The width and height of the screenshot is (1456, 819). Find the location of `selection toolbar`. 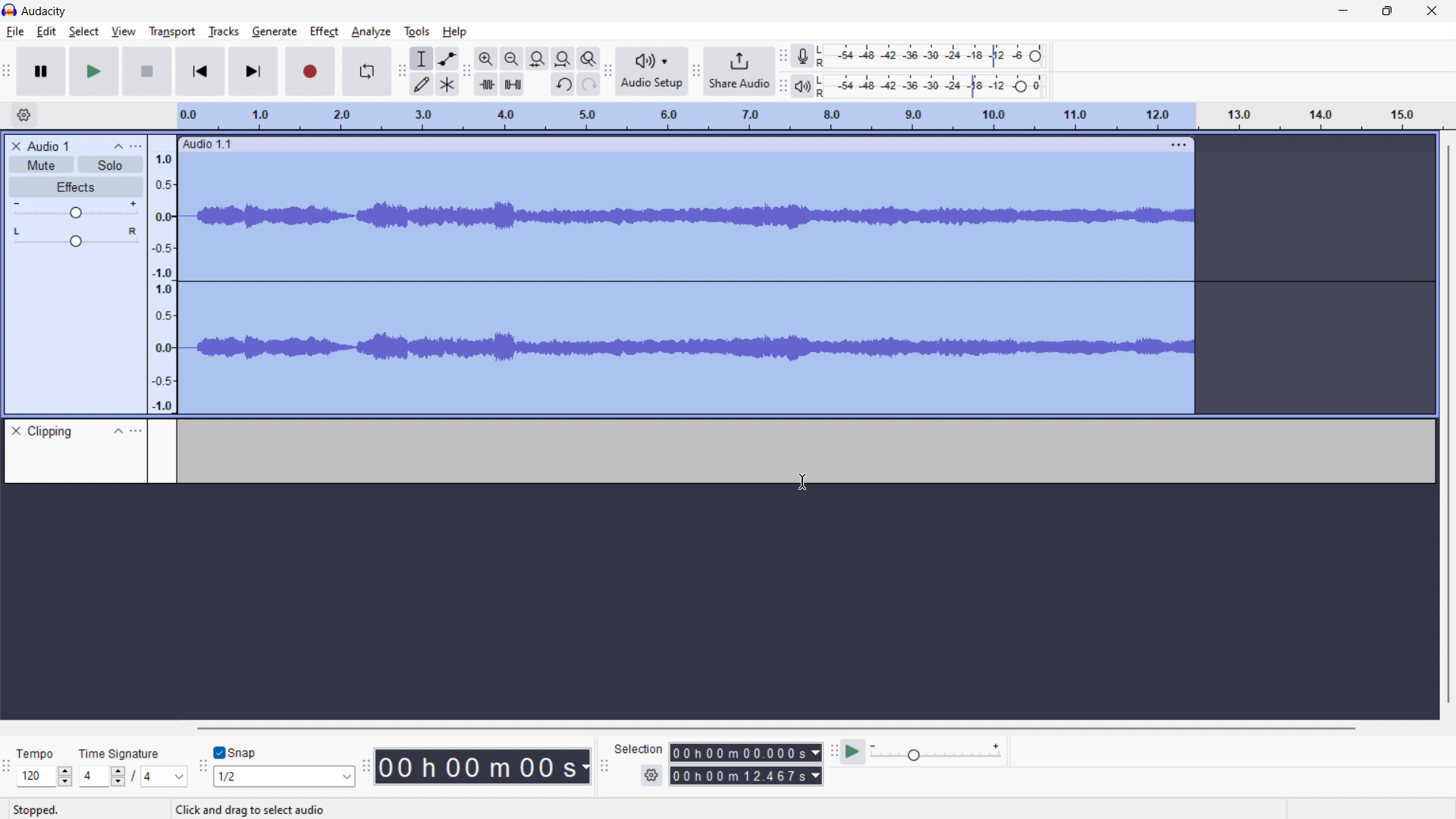

selection toolbar is located at coordinates (604, 765).